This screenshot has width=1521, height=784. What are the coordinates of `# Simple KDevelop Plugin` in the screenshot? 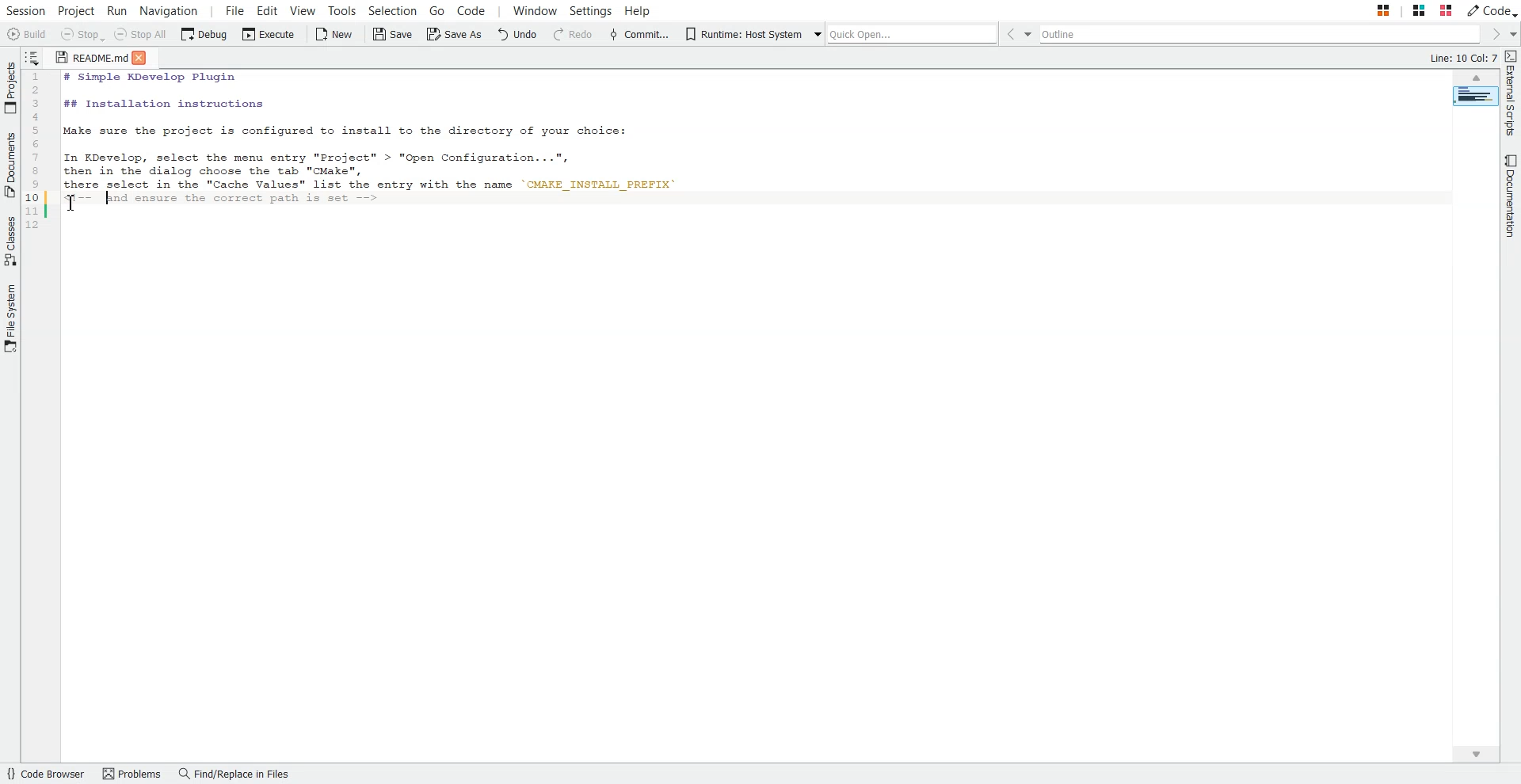 It's located at (147, 78).